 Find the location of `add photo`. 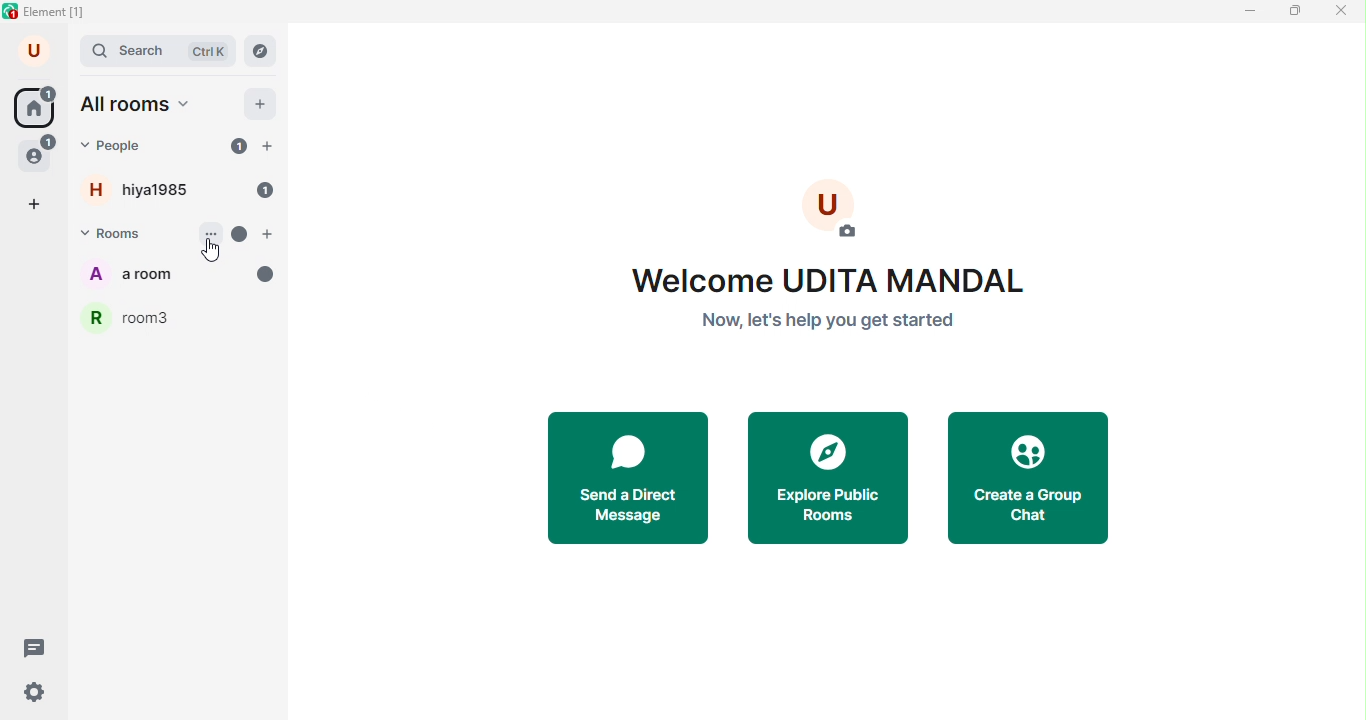

add photo is located at coordinates (837, 213).